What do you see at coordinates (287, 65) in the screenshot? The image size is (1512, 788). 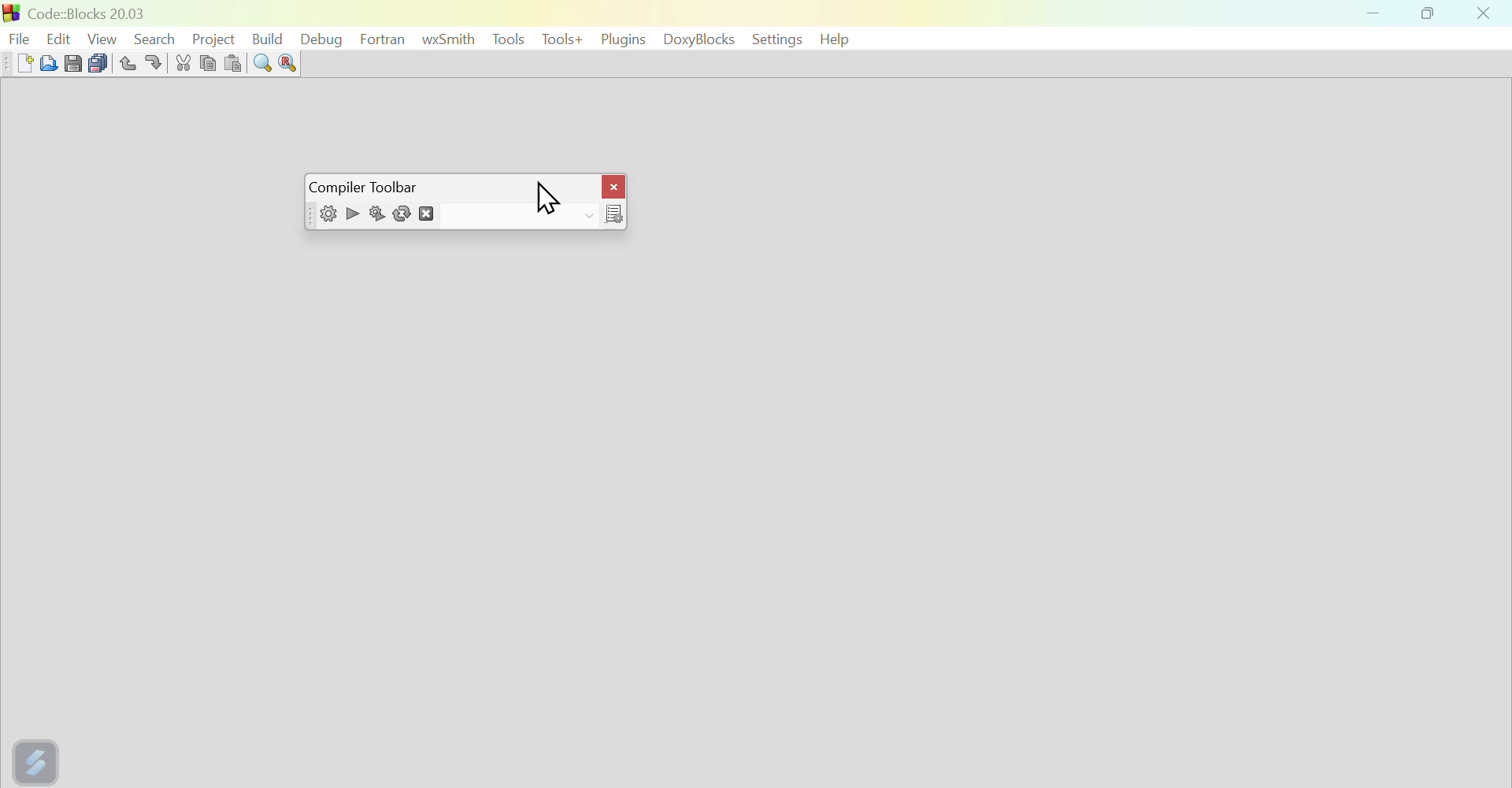 I see `` at bounding box center [287, 65].